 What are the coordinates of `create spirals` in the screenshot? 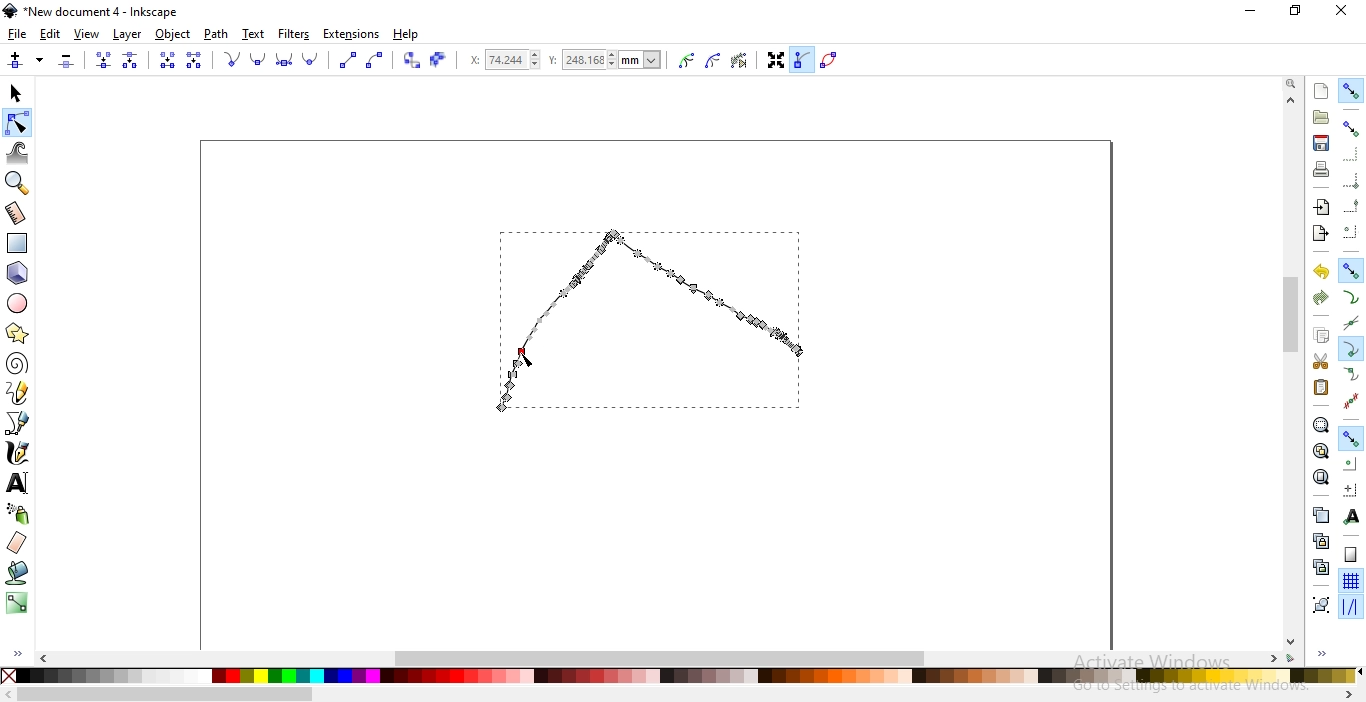 It's located at (16, 364).